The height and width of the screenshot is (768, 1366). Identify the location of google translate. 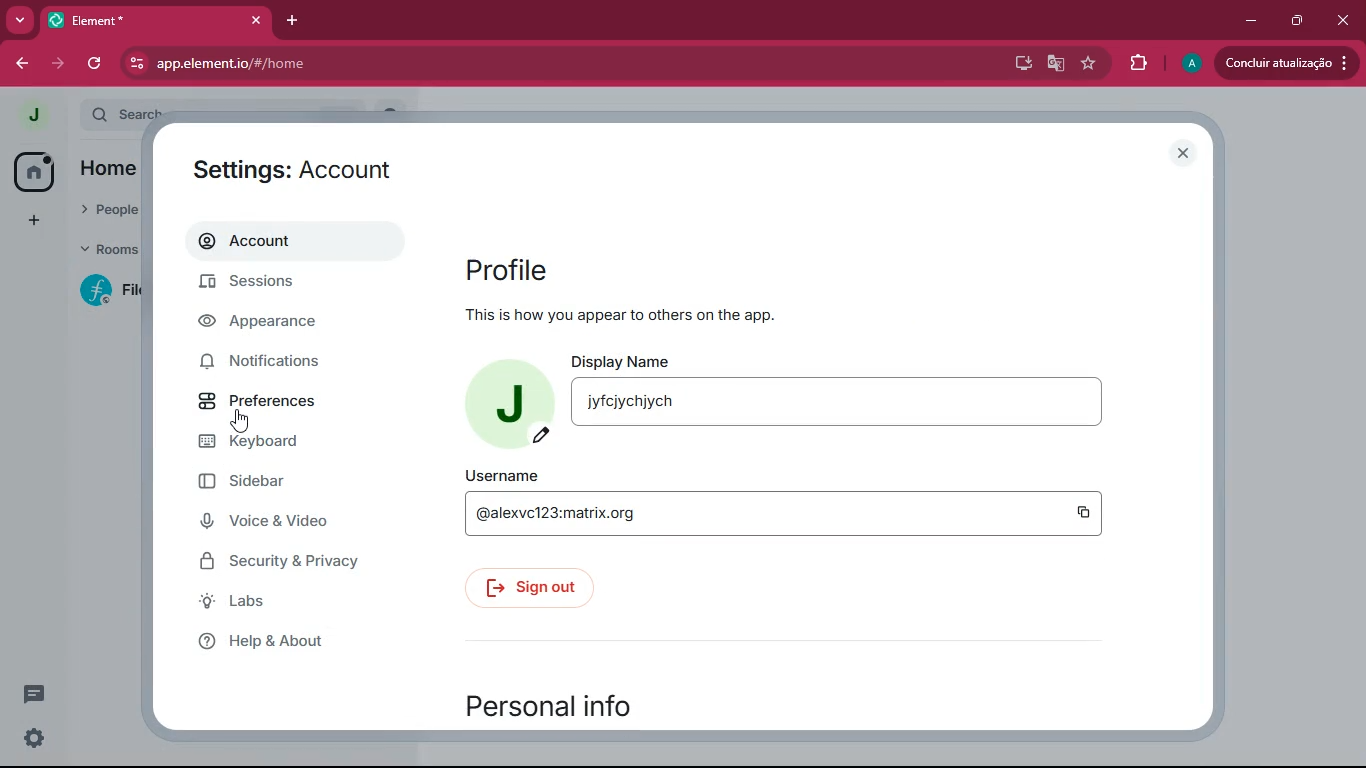
(1057, 65).